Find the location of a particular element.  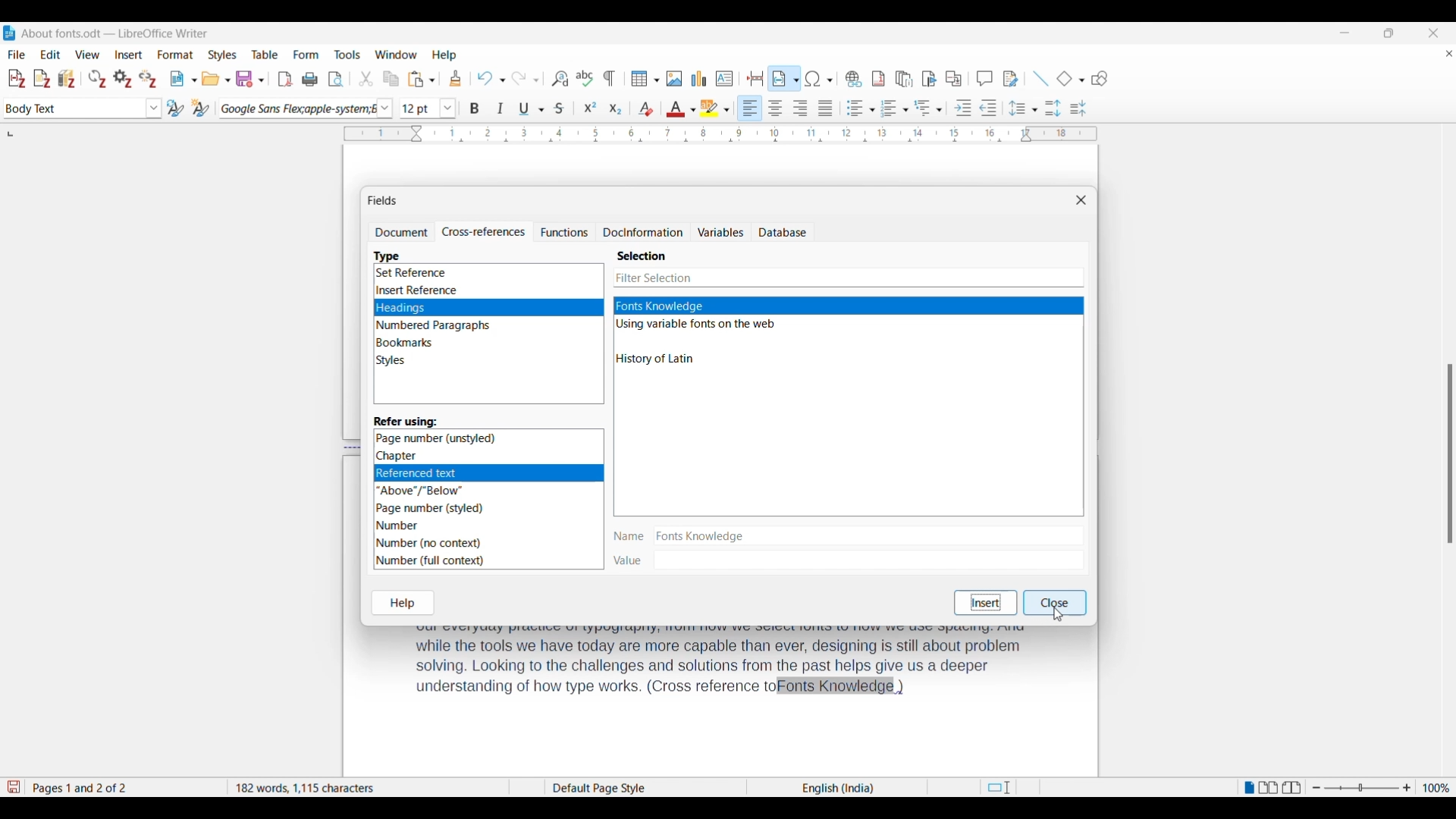

Highlight color options is located at coordinates (714, 108).